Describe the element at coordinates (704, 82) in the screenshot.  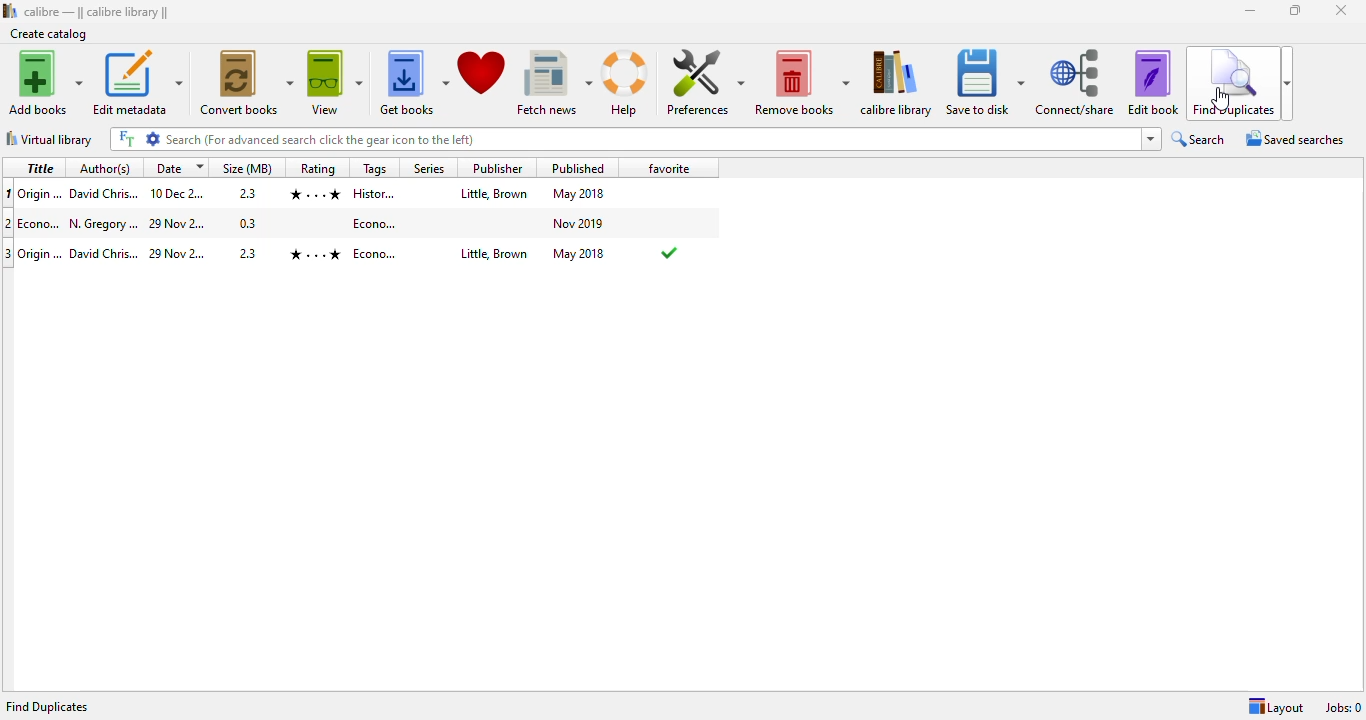
I see `preferences` at that location.